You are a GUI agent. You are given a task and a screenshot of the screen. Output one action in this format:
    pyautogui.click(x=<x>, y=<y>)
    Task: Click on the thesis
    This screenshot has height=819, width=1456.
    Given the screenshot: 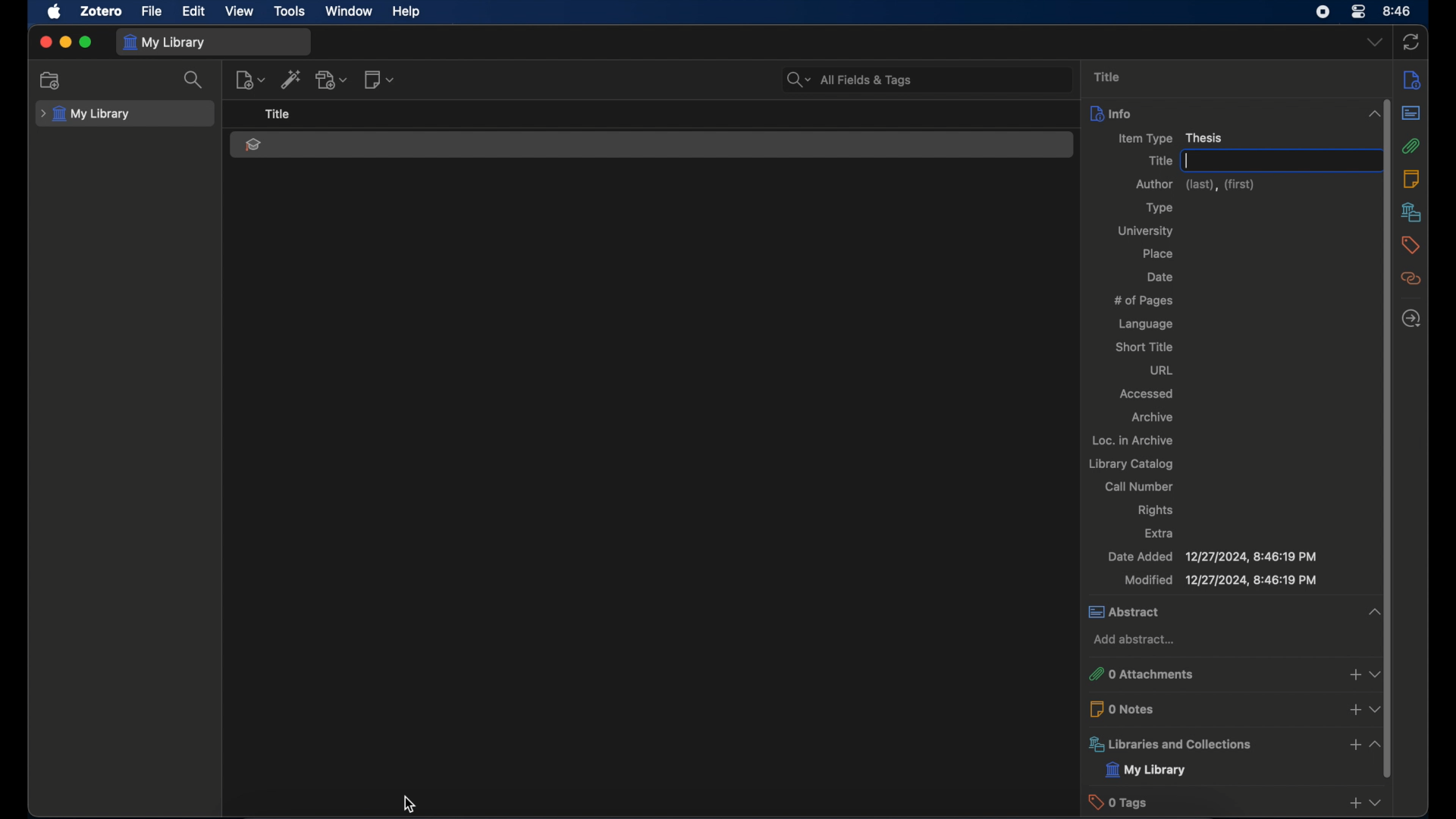 What is the action you would take?
    pyautogui.click(x=252, y=145)
    